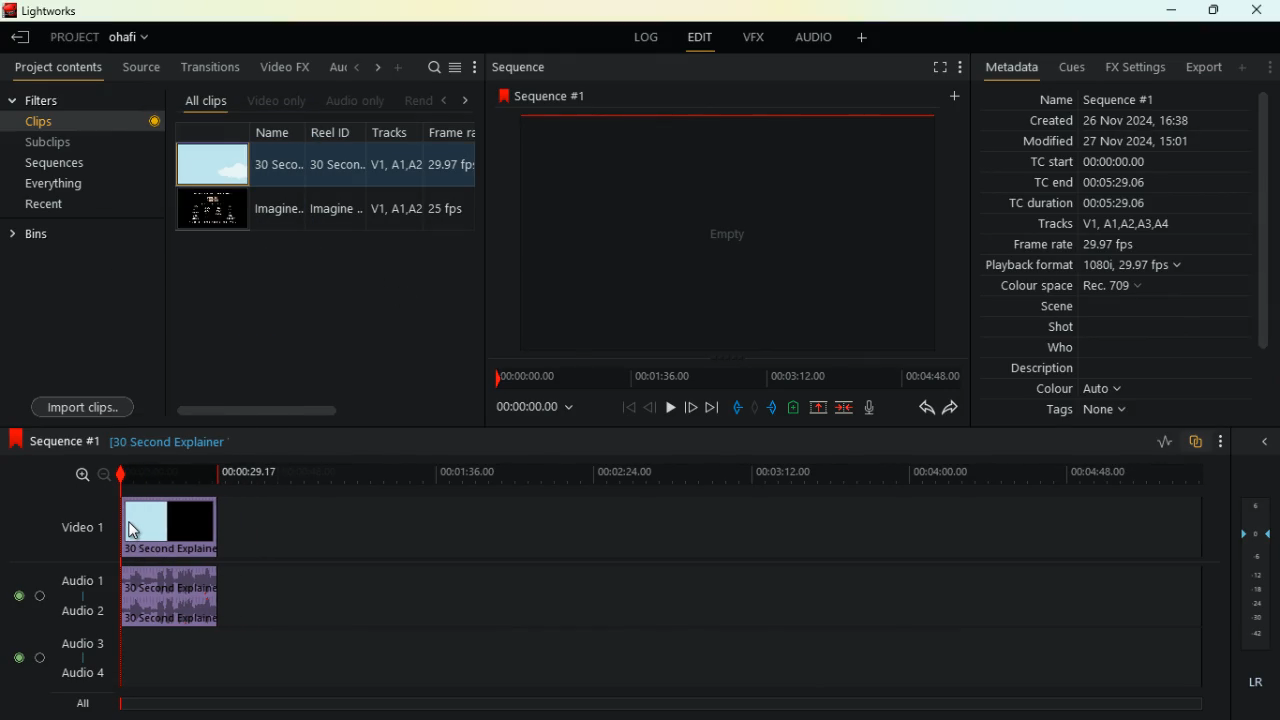 The height and width of the screenshot is (720, 1280). What do you see at coordinates (1113, 163) in the screenshot?
I see `tc start` at bounding box center [1113, 163].